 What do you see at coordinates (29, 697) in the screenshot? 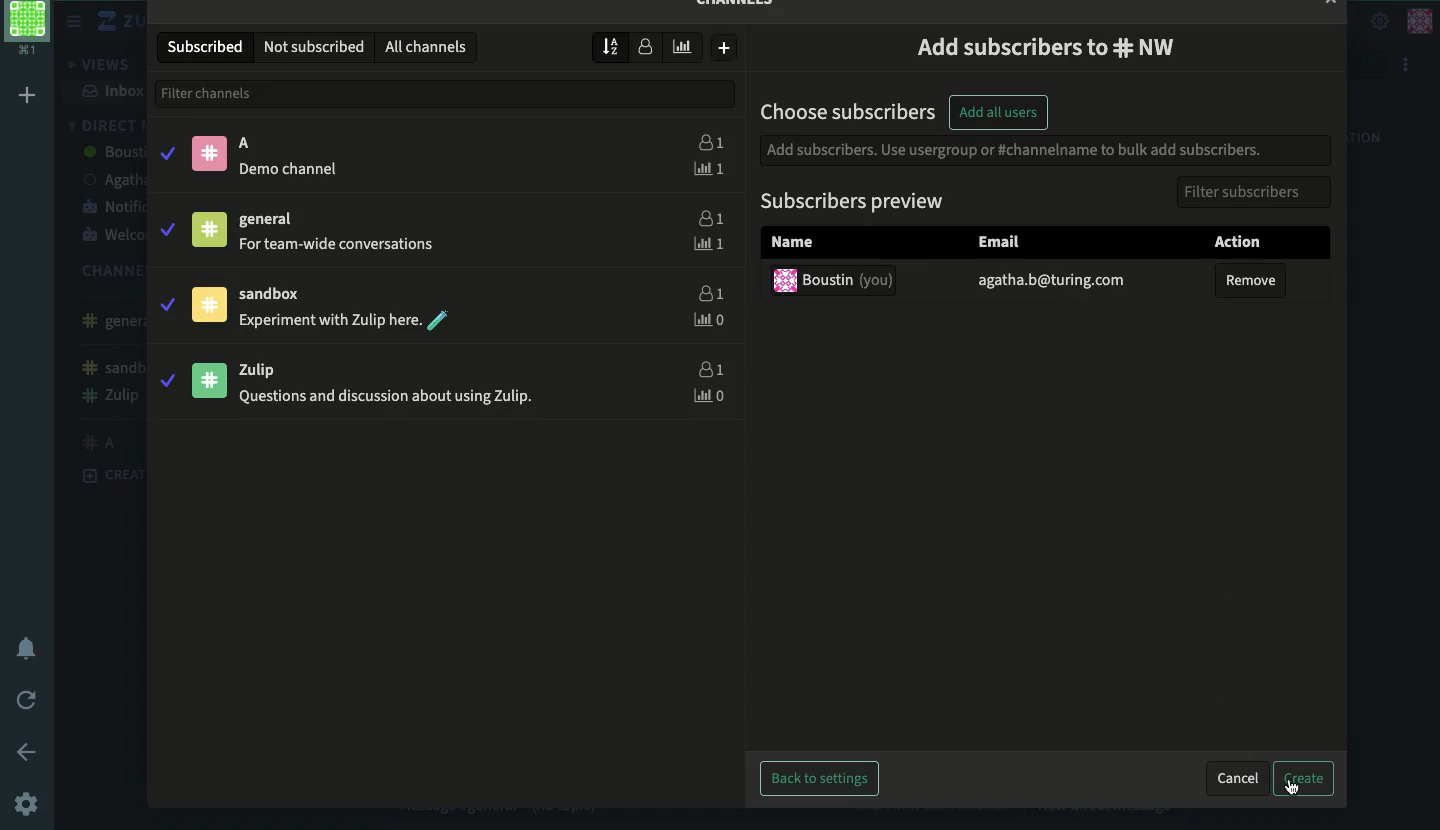
I see `refresh` at bounding box center [29, 697].